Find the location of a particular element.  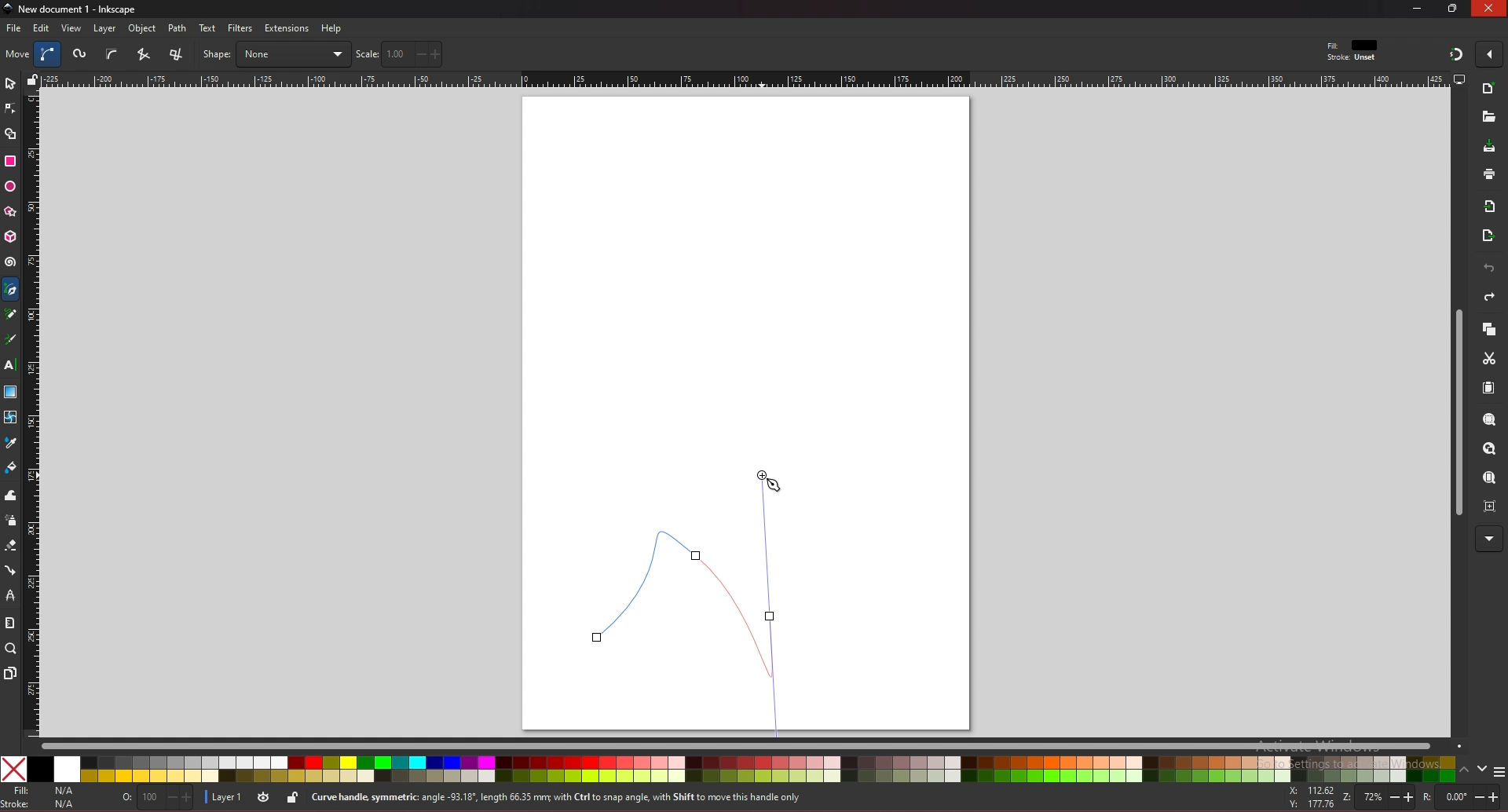

edit is located at coordinates (42, 27).